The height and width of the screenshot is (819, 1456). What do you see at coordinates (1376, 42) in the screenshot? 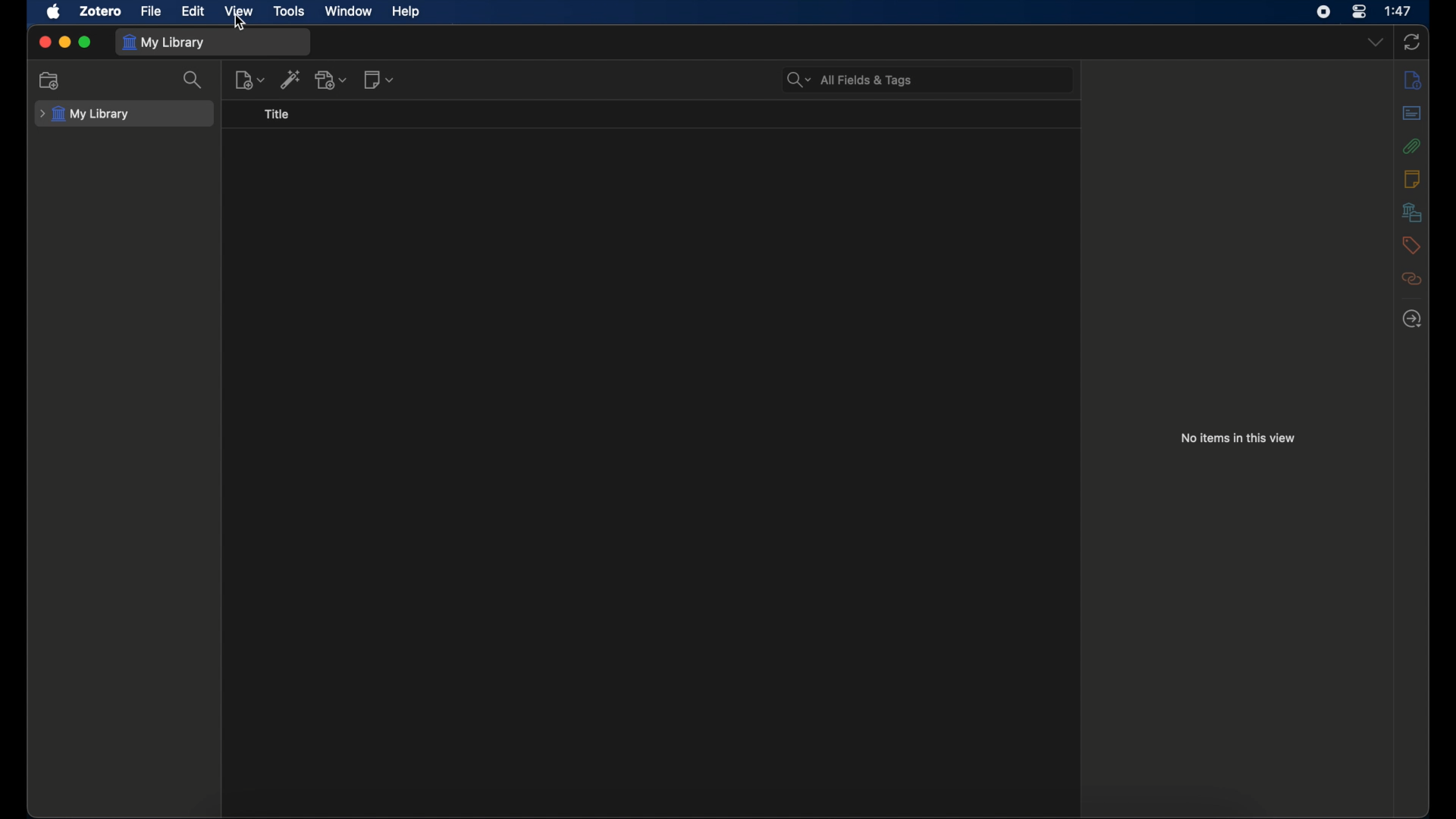
I see `dropdown` at bounding box center [1376, 42].